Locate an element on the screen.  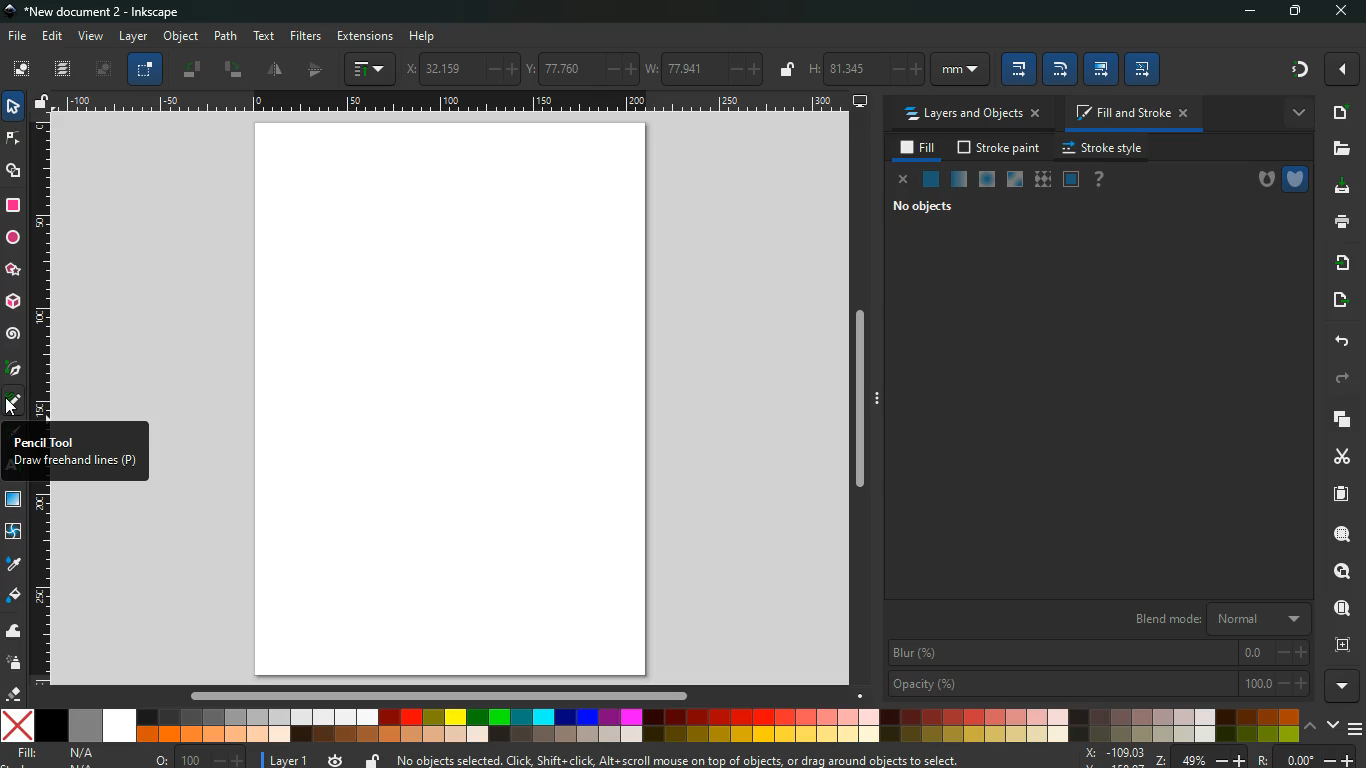
find is located at coordinates (1340, 607).